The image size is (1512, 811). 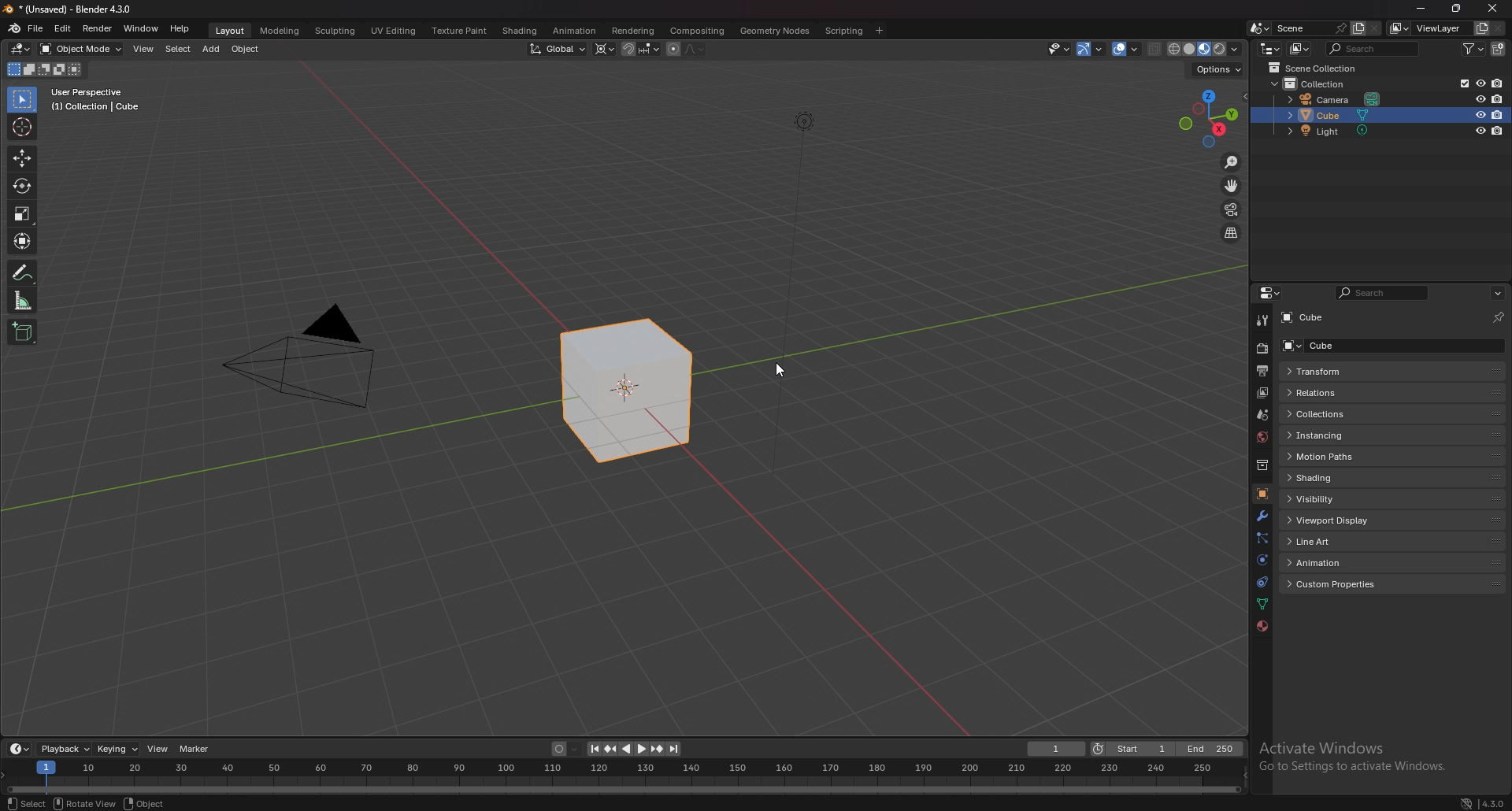 What do you see at coordinates (775, 30) in the screenshot?
I see `geometry nodes` at bounding box center [775, 30].